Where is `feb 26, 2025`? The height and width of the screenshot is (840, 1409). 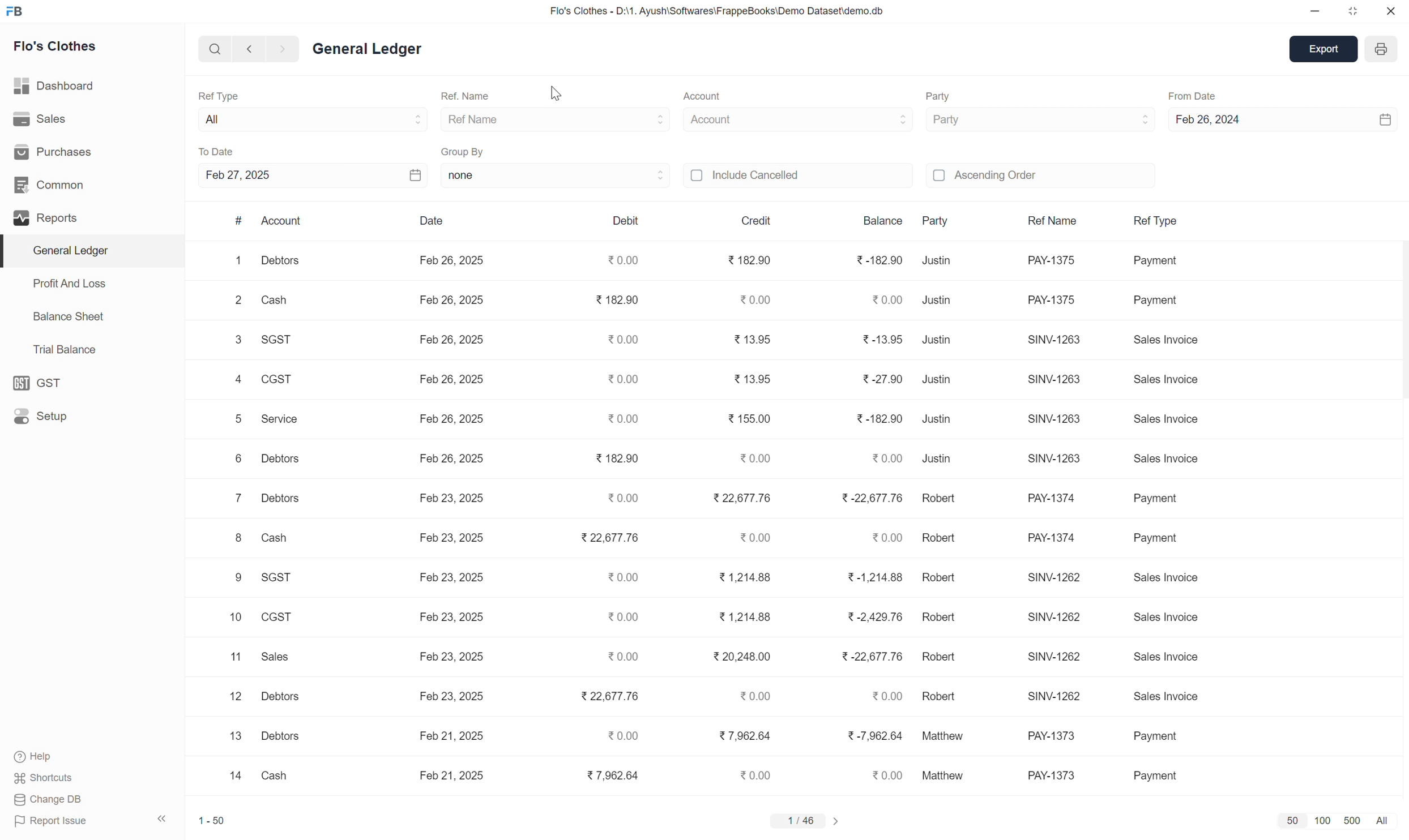
feb 26, 2025 is located at coordinates (452, 300).